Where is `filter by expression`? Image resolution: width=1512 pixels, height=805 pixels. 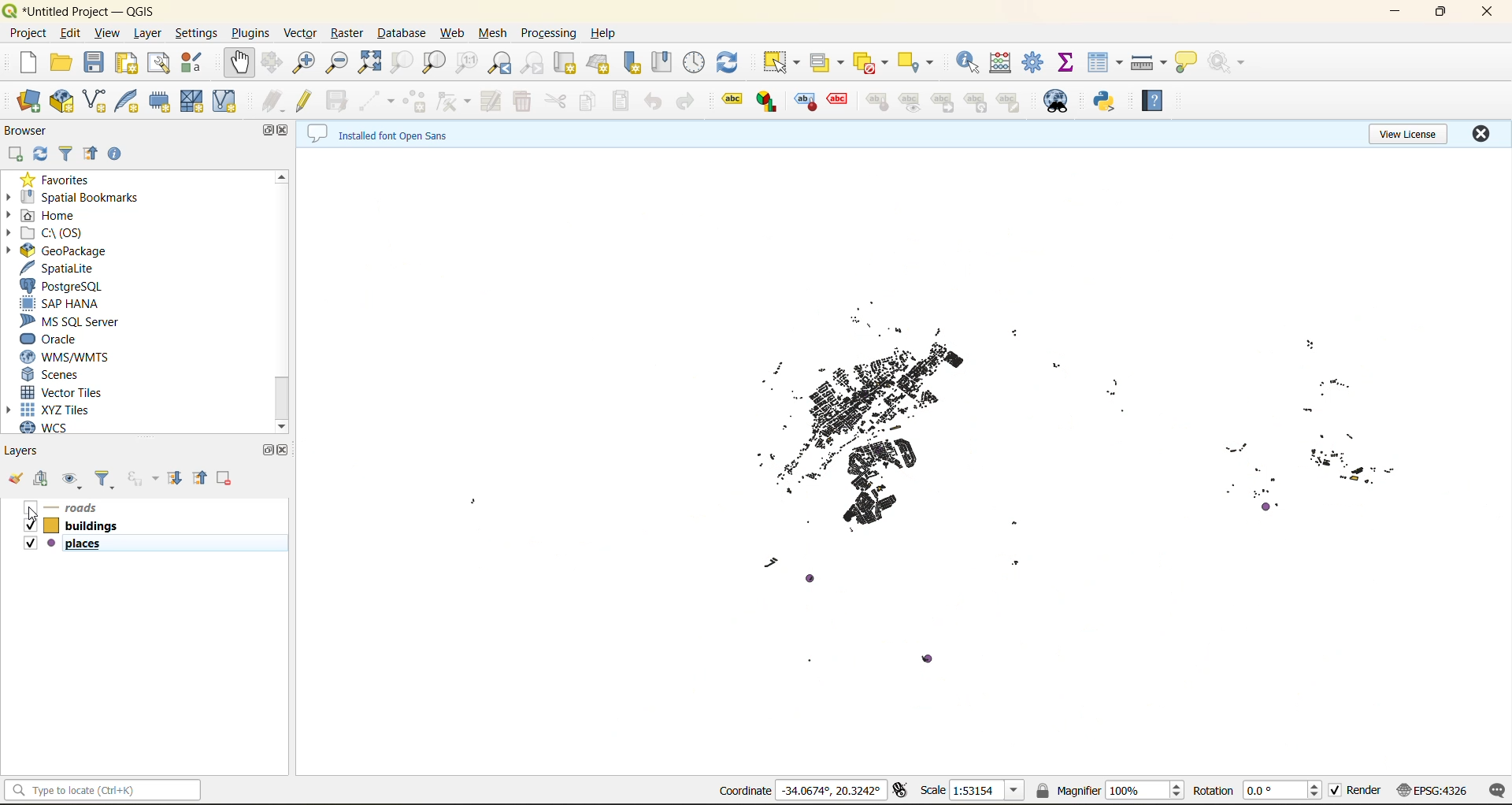 filter by expression is located at coordinates (144, 478).